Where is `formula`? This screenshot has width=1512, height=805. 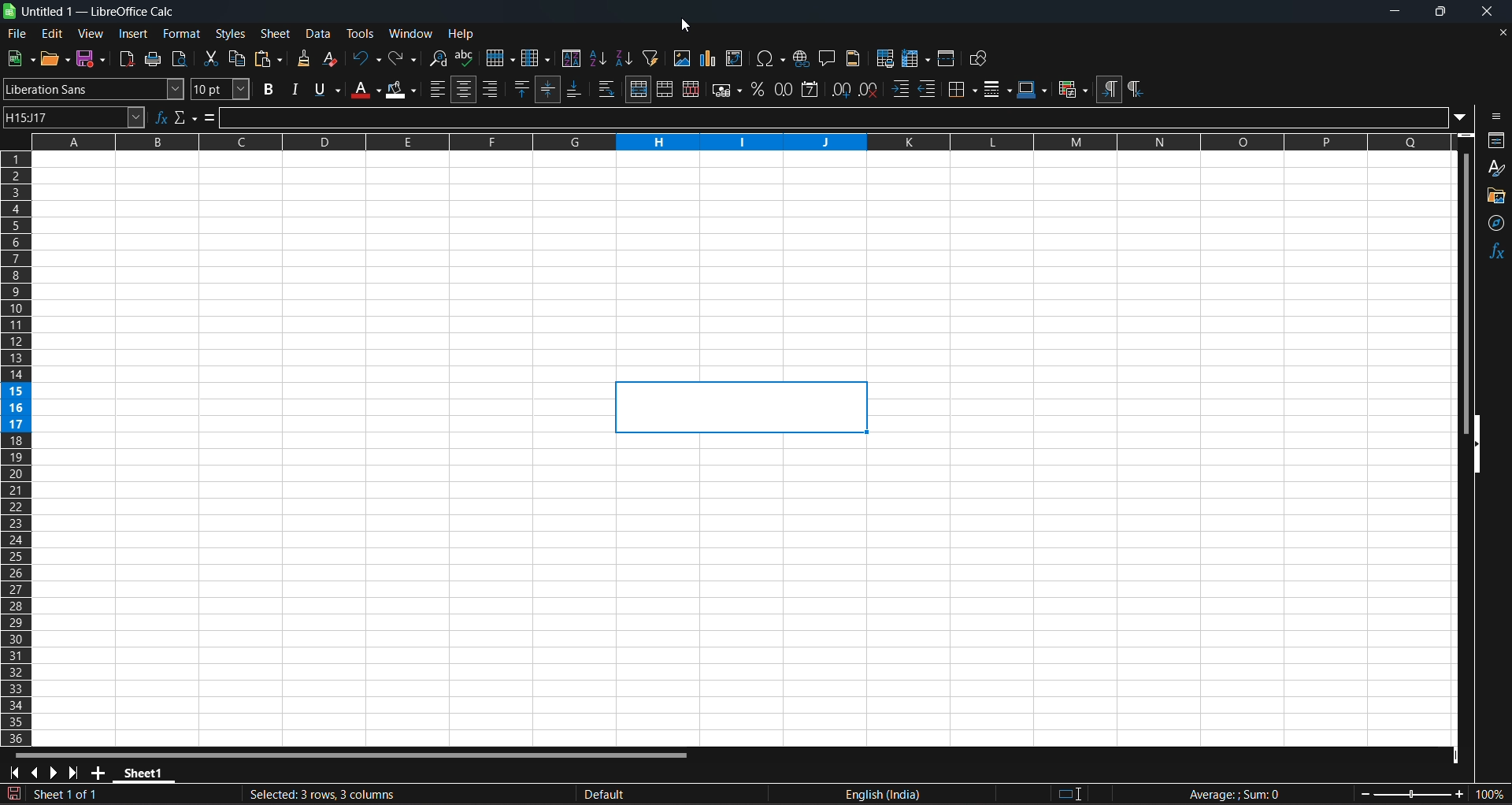
formula is located at coordinates (212, 117).